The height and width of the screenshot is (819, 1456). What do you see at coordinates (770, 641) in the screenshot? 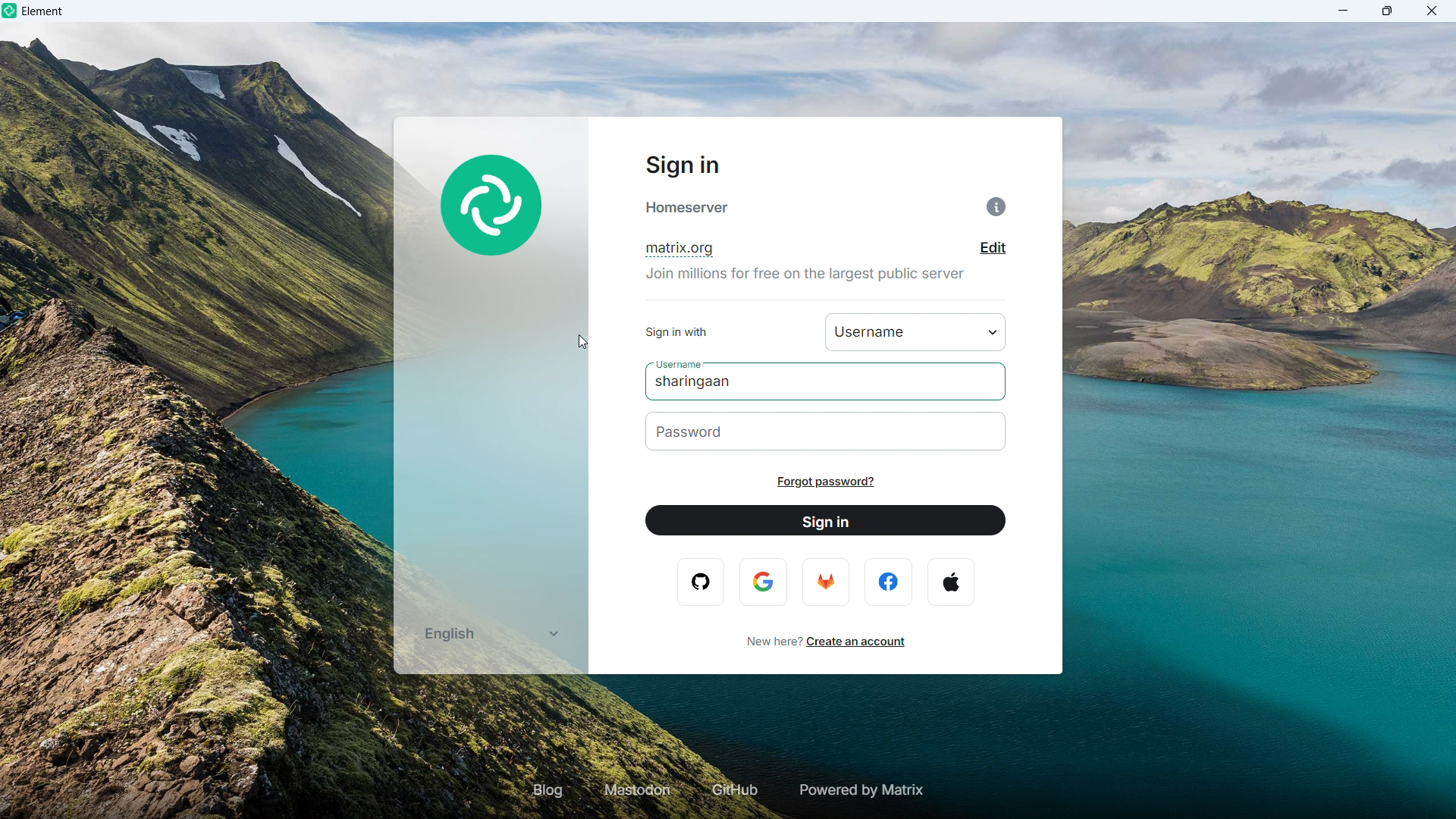
I see `new here` at bounding box center [770, 641].